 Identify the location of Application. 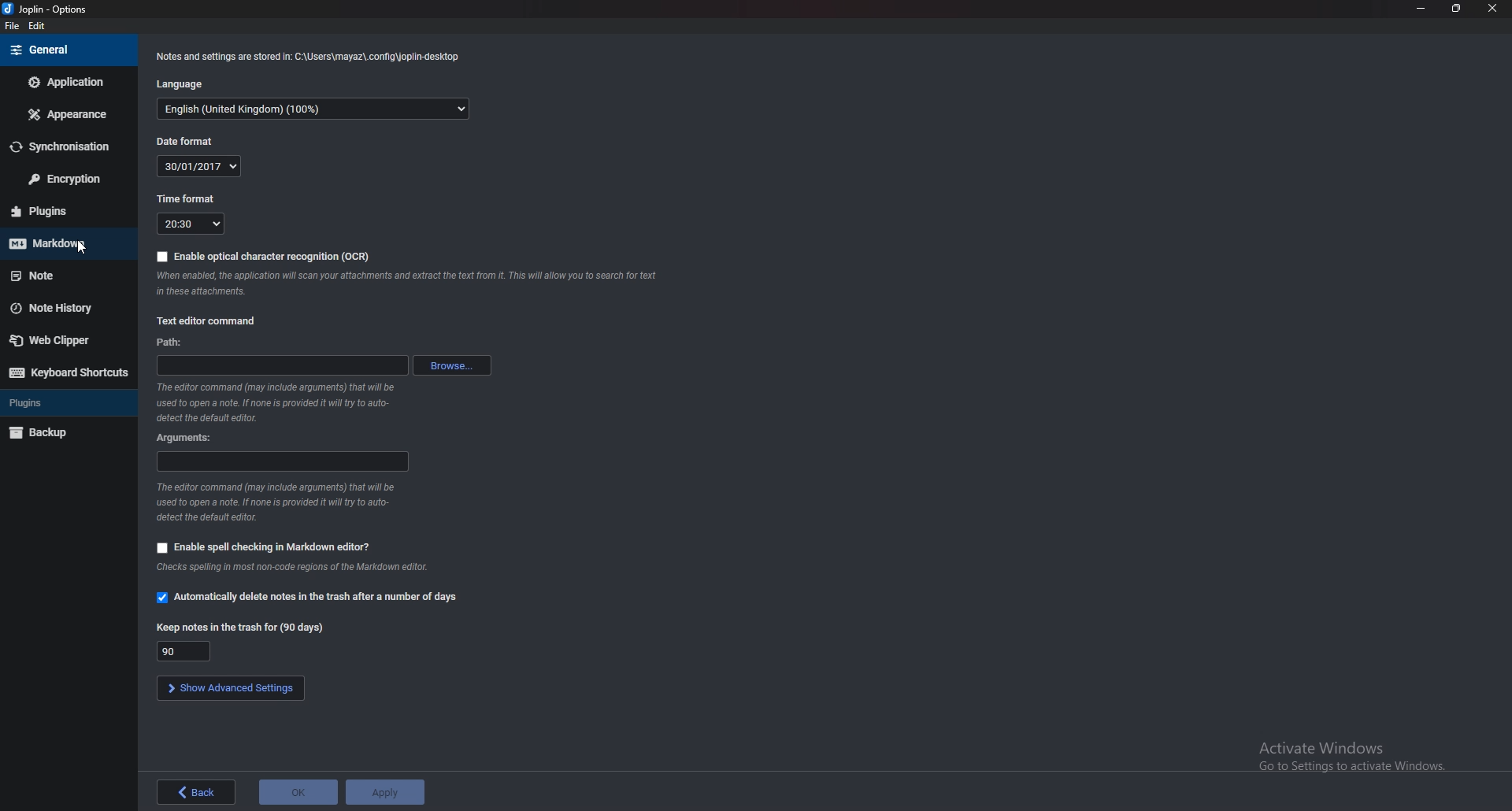
(67, 84).